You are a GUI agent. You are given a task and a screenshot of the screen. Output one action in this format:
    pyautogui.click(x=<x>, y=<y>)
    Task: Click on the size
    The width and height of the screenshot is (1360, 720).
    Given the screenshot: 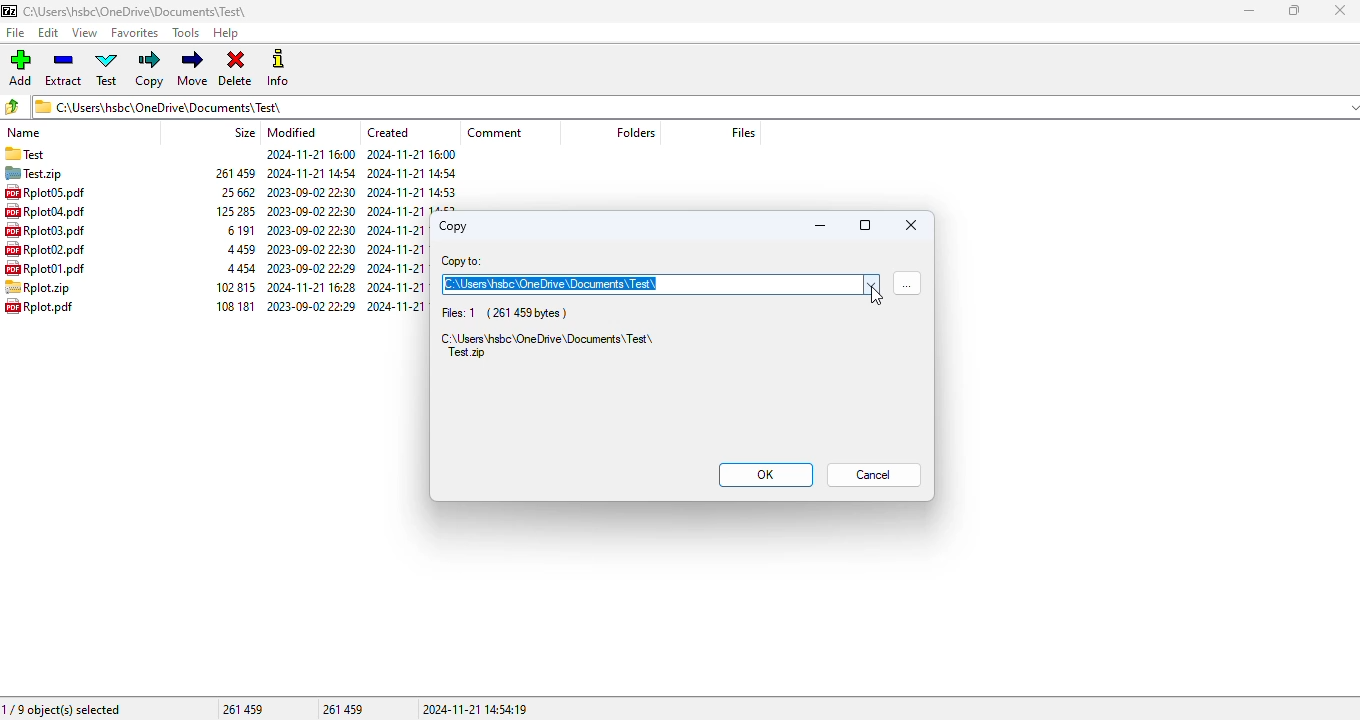 What is the action you would take?
    pyautogui.click(x=233, y=211)
    